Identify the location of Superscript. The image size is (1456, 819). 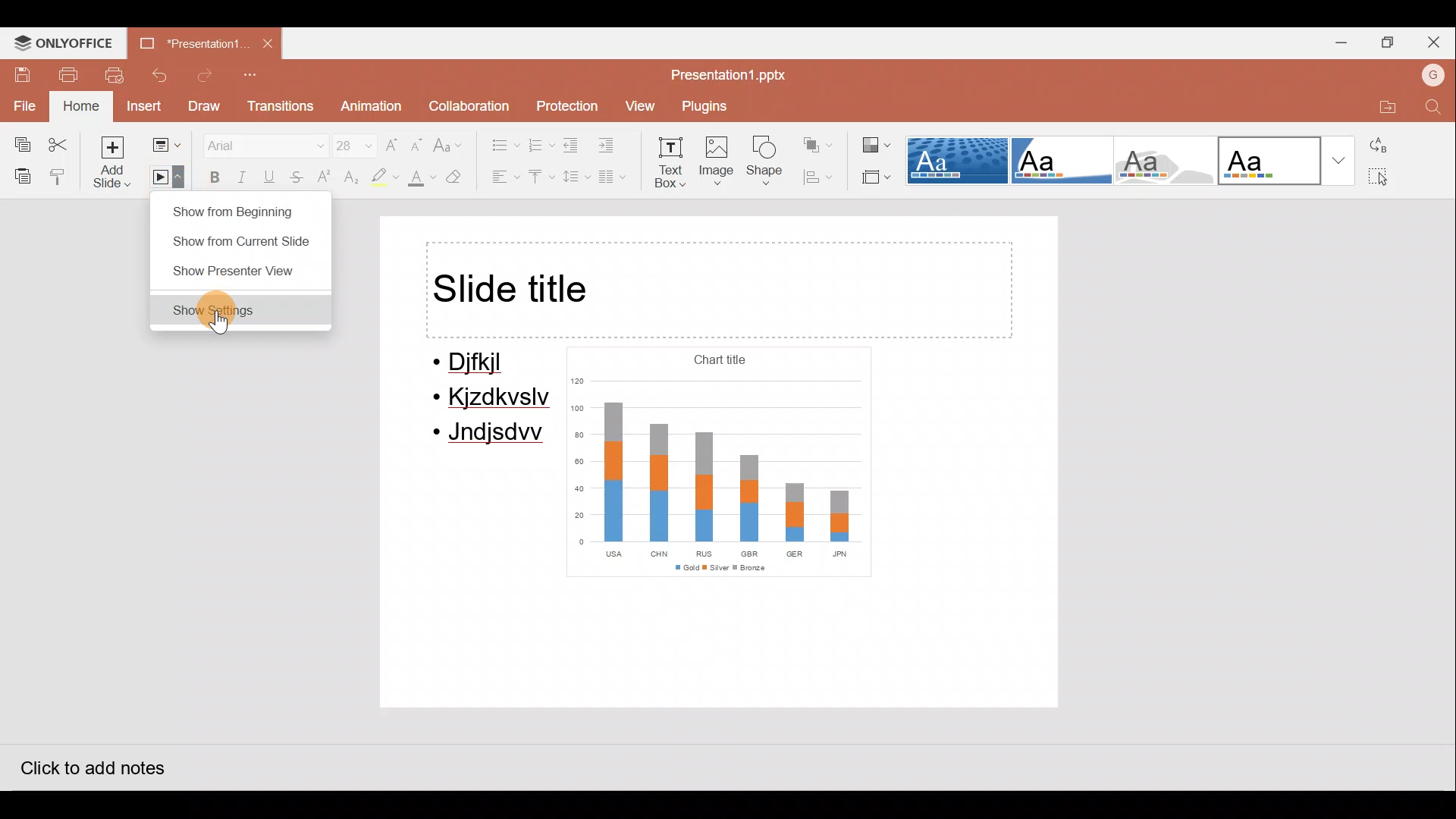
(323, 178).